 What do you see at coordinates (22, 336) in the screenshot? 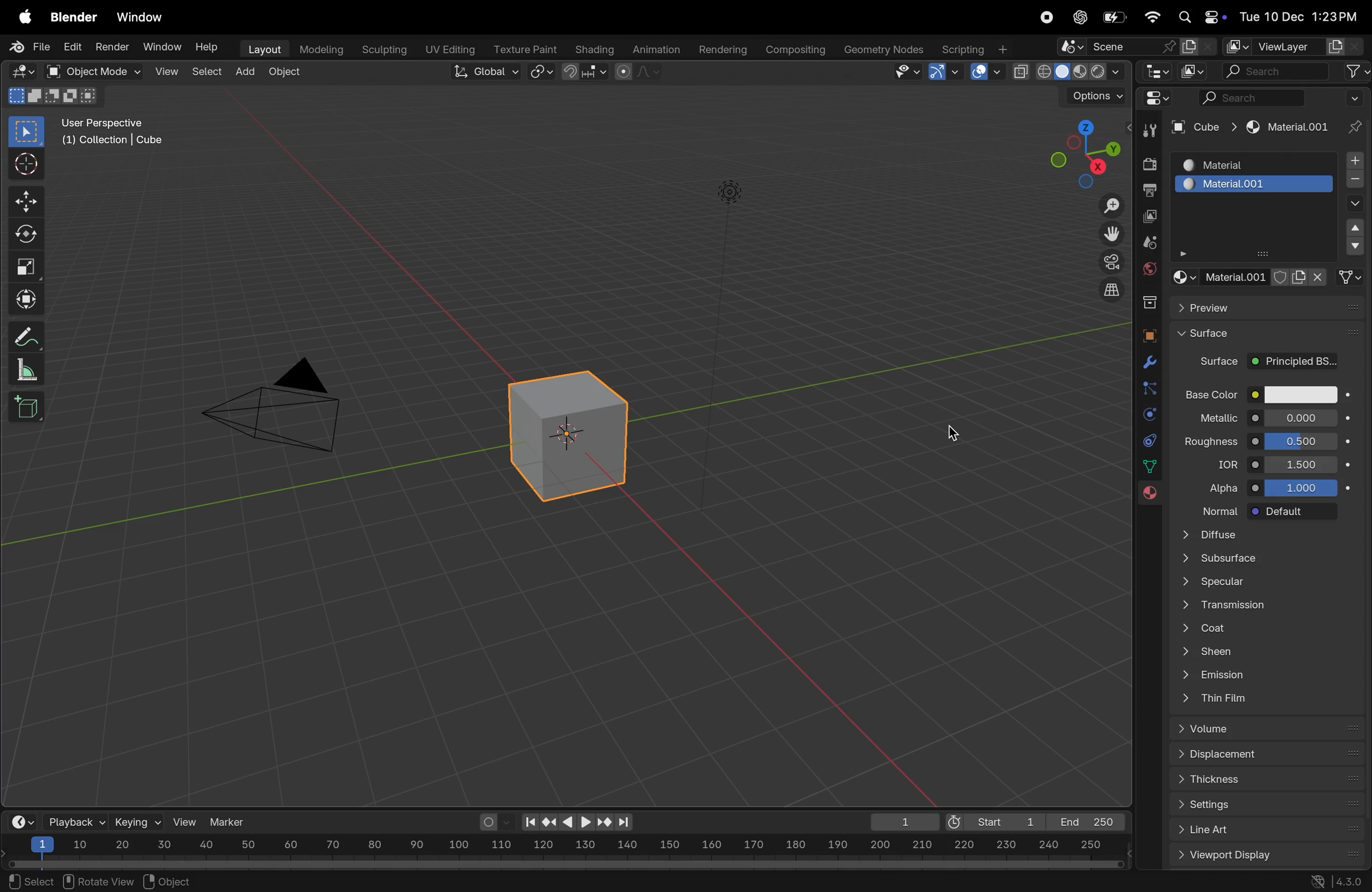
I see `annotate` at bounding box center [22, 336].